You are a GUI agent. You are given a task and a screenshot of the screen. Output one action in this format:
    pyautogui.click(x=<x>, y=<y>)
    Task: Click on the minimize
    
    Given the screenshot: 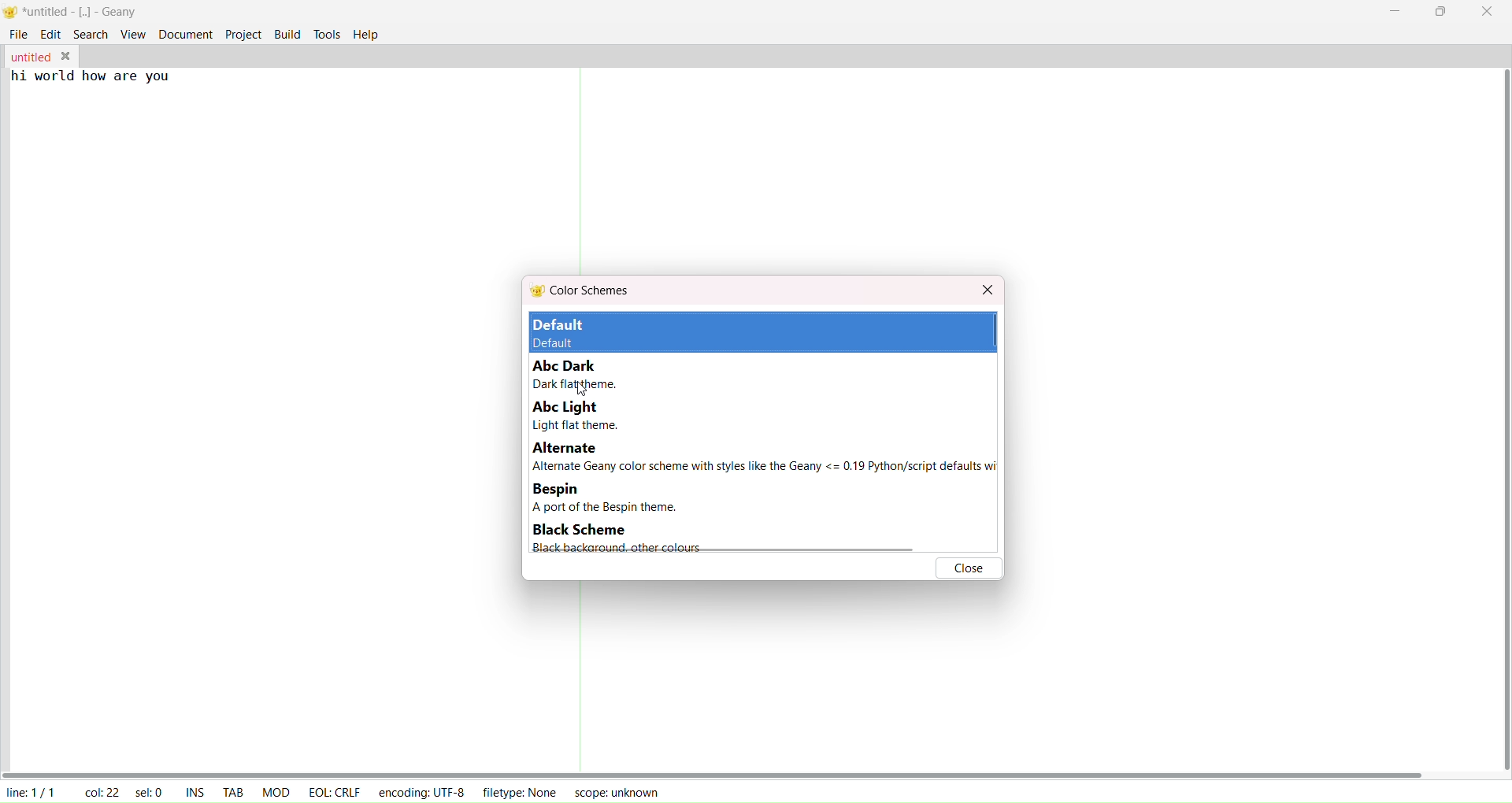 What is the action you would take?
    pyautogui.click(x=1397, y=9)
    